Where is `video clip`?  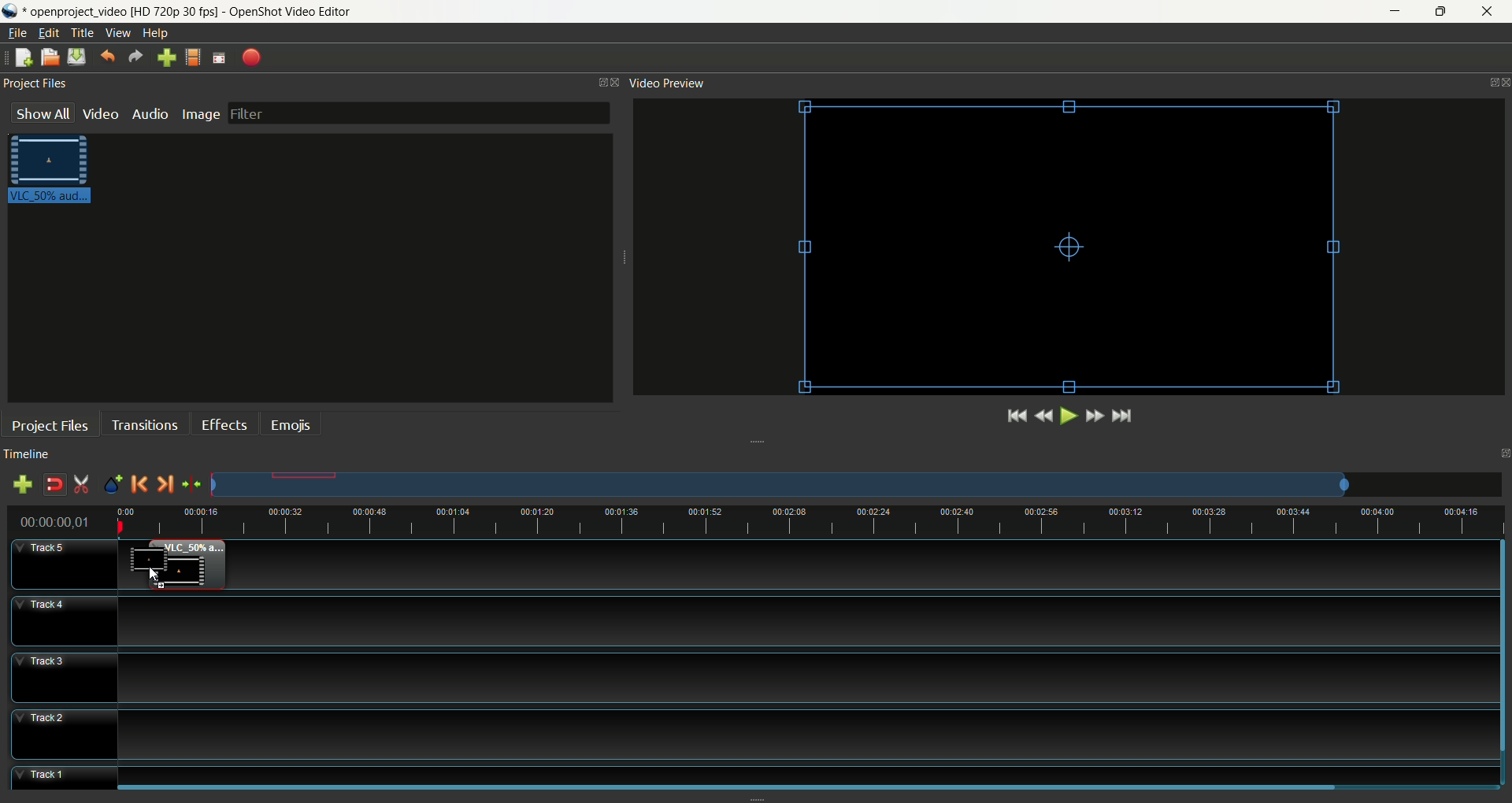 video clip is located at coordinates (144, 557).